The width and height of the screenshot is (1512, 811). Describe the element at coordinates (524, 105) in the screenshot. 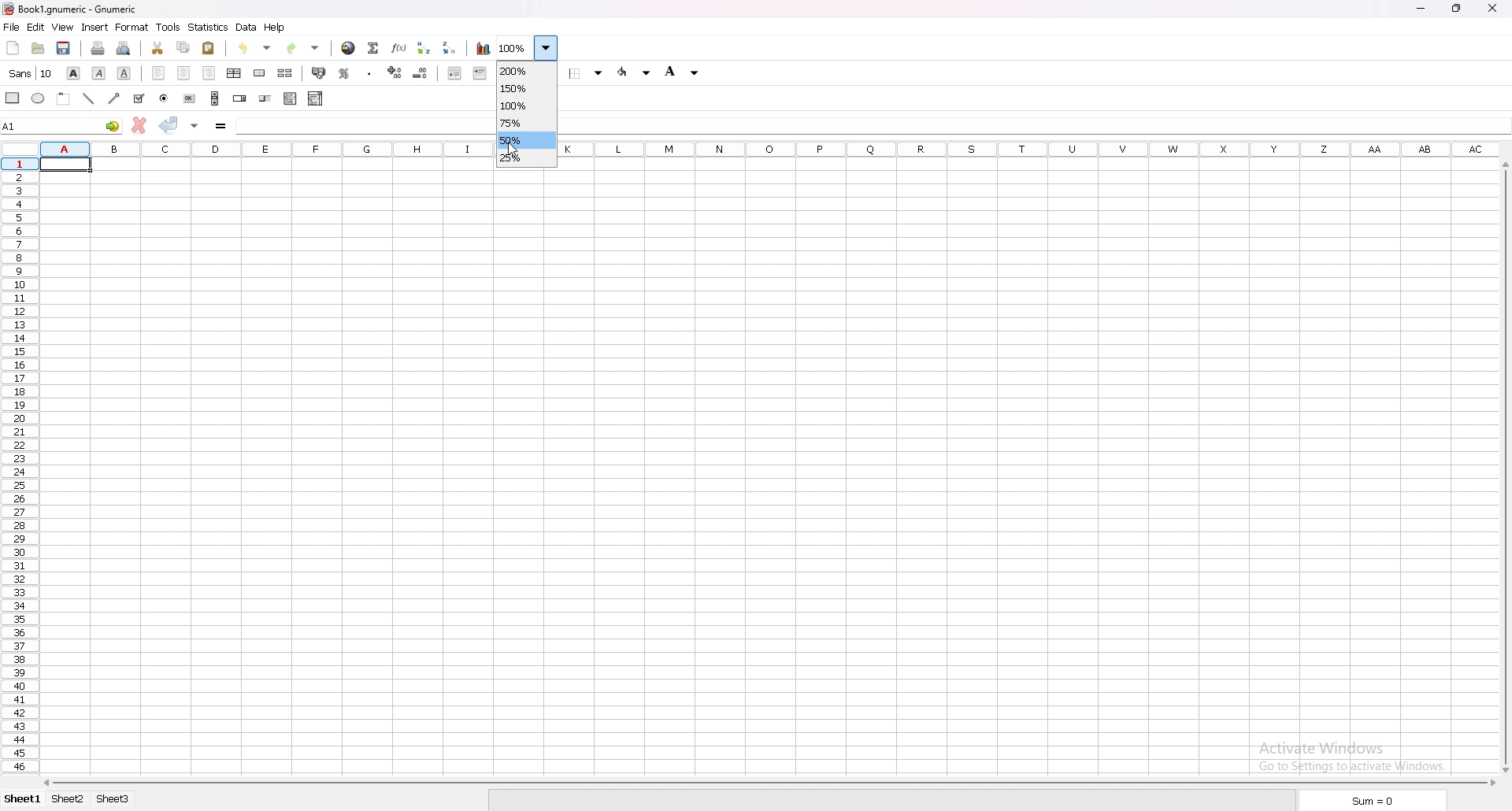

I see `100%` at that location.